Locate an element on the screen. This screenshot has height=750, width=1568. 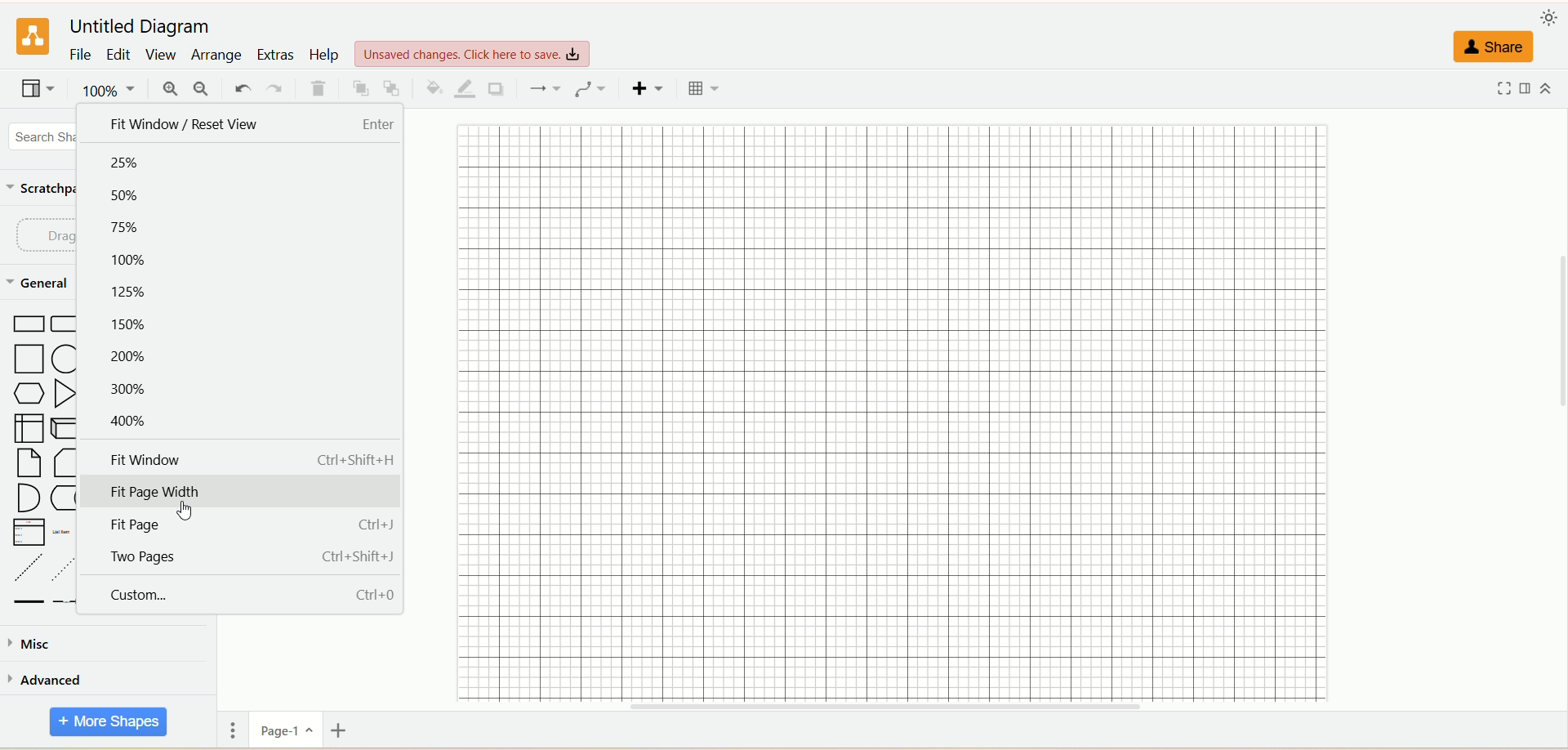
fit window is located at coordinates (249, 459).